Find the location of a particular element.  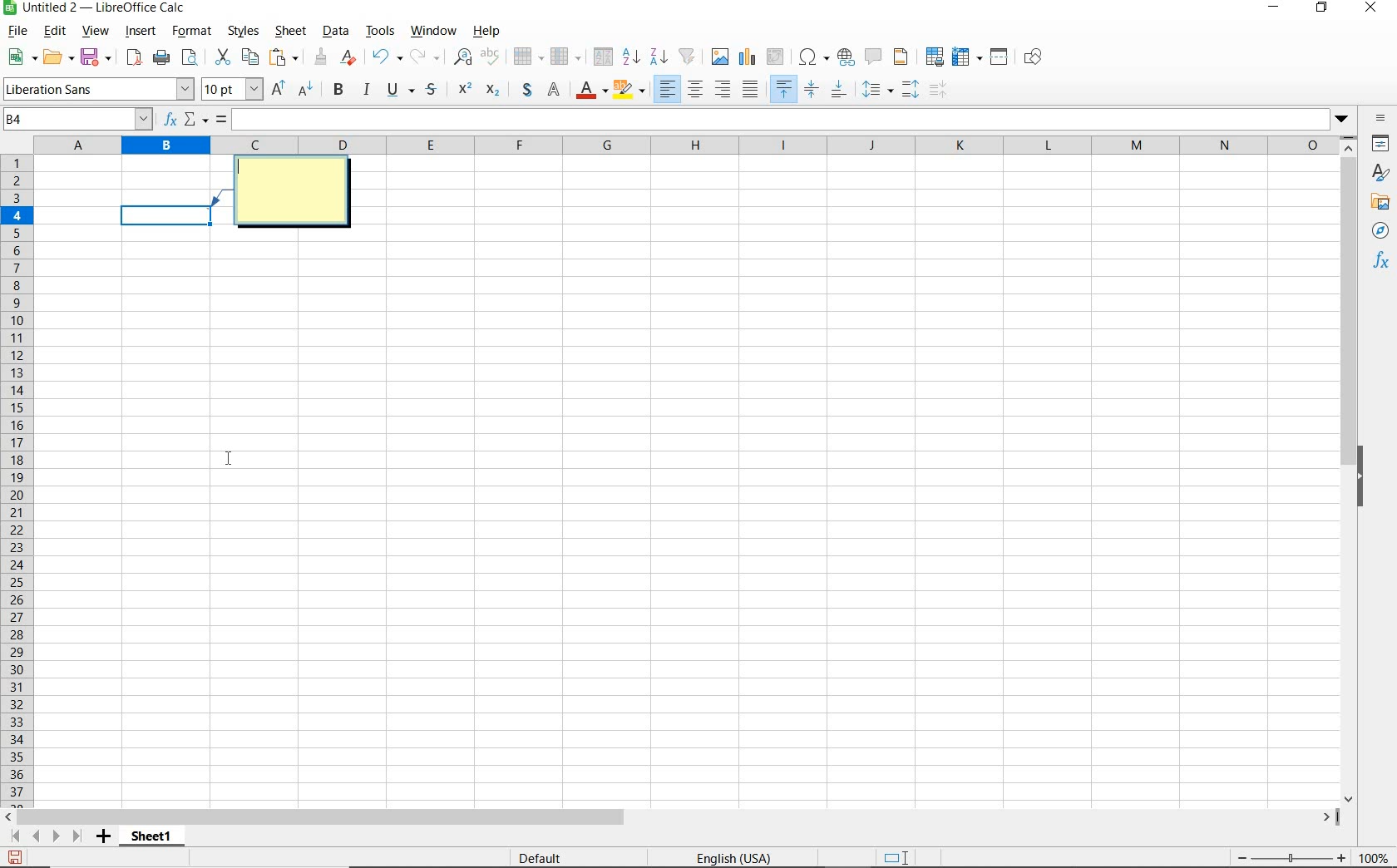

align bottom is located at coordinates (842, 90).